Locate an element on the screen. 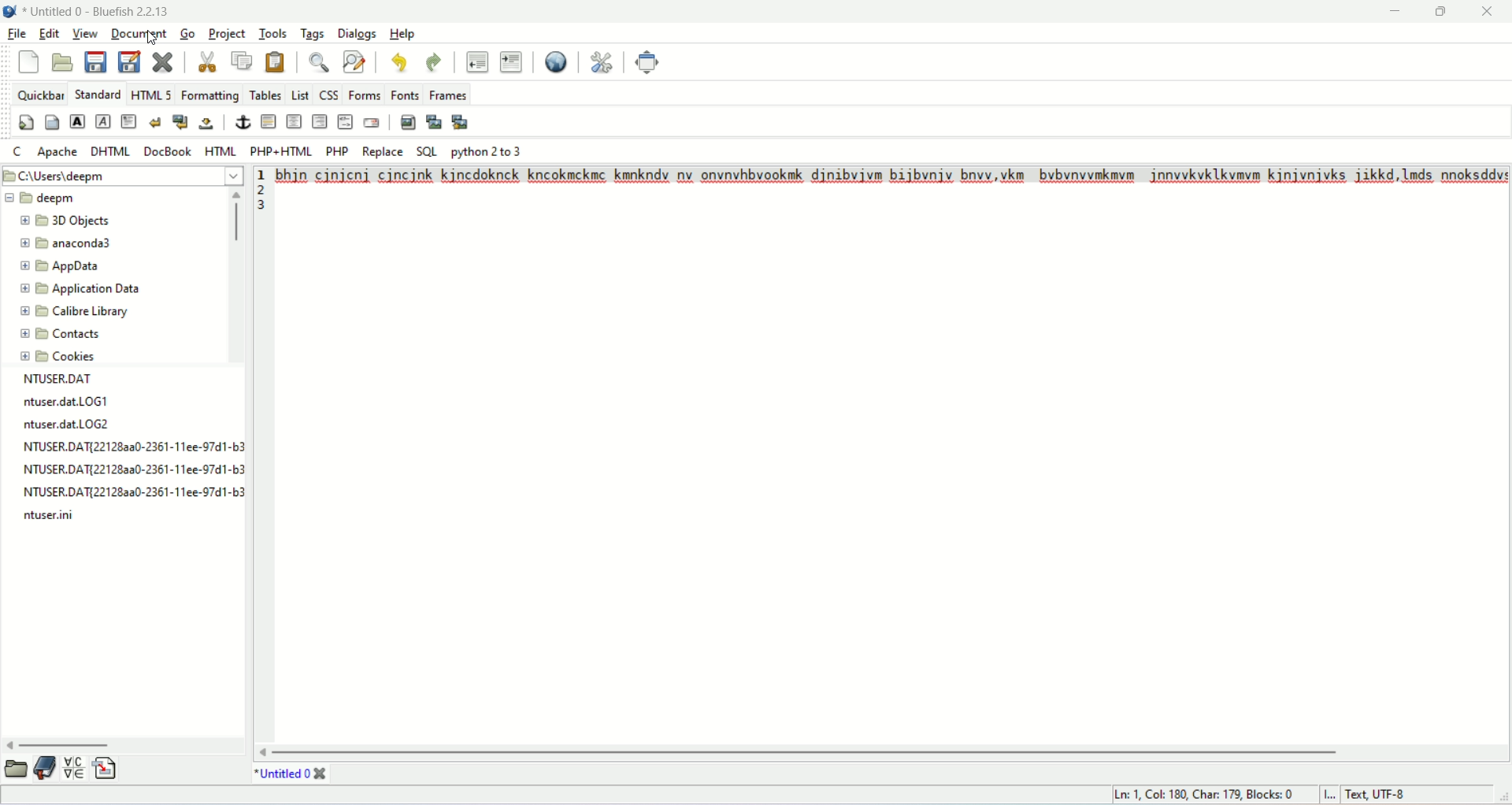 The height and width of the screenshot is (805, 1512). body is located at coordinates (52, 122).